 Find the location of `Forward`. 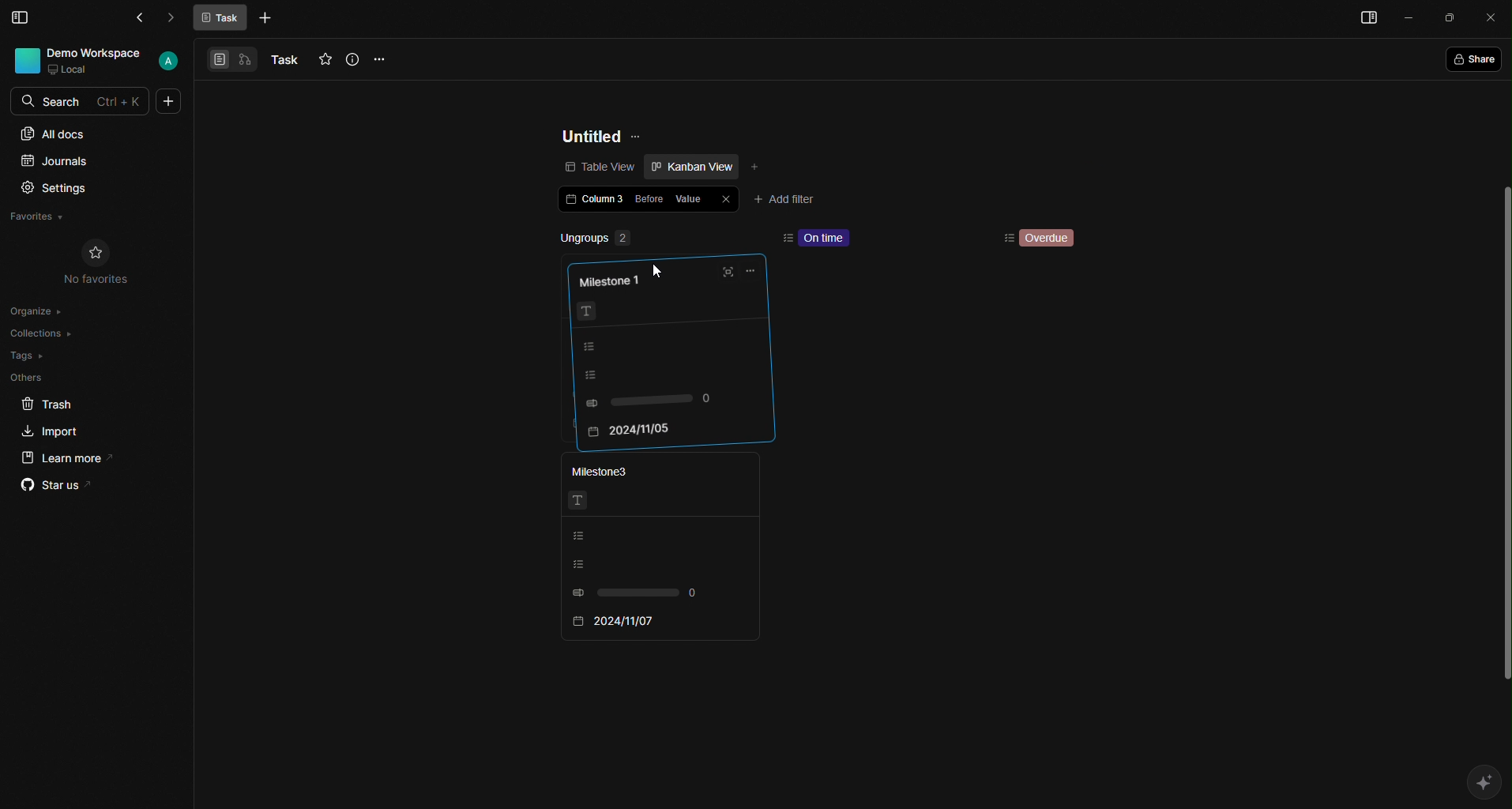

Forward is located at coordinates (169, 18).